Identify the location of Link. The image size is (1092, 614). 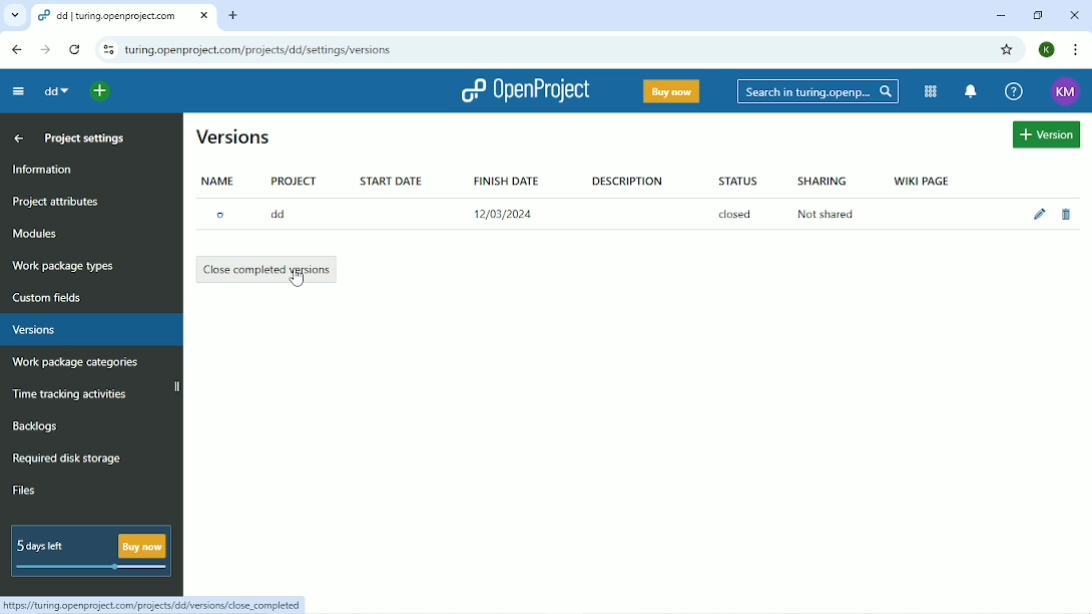
(158, 605).